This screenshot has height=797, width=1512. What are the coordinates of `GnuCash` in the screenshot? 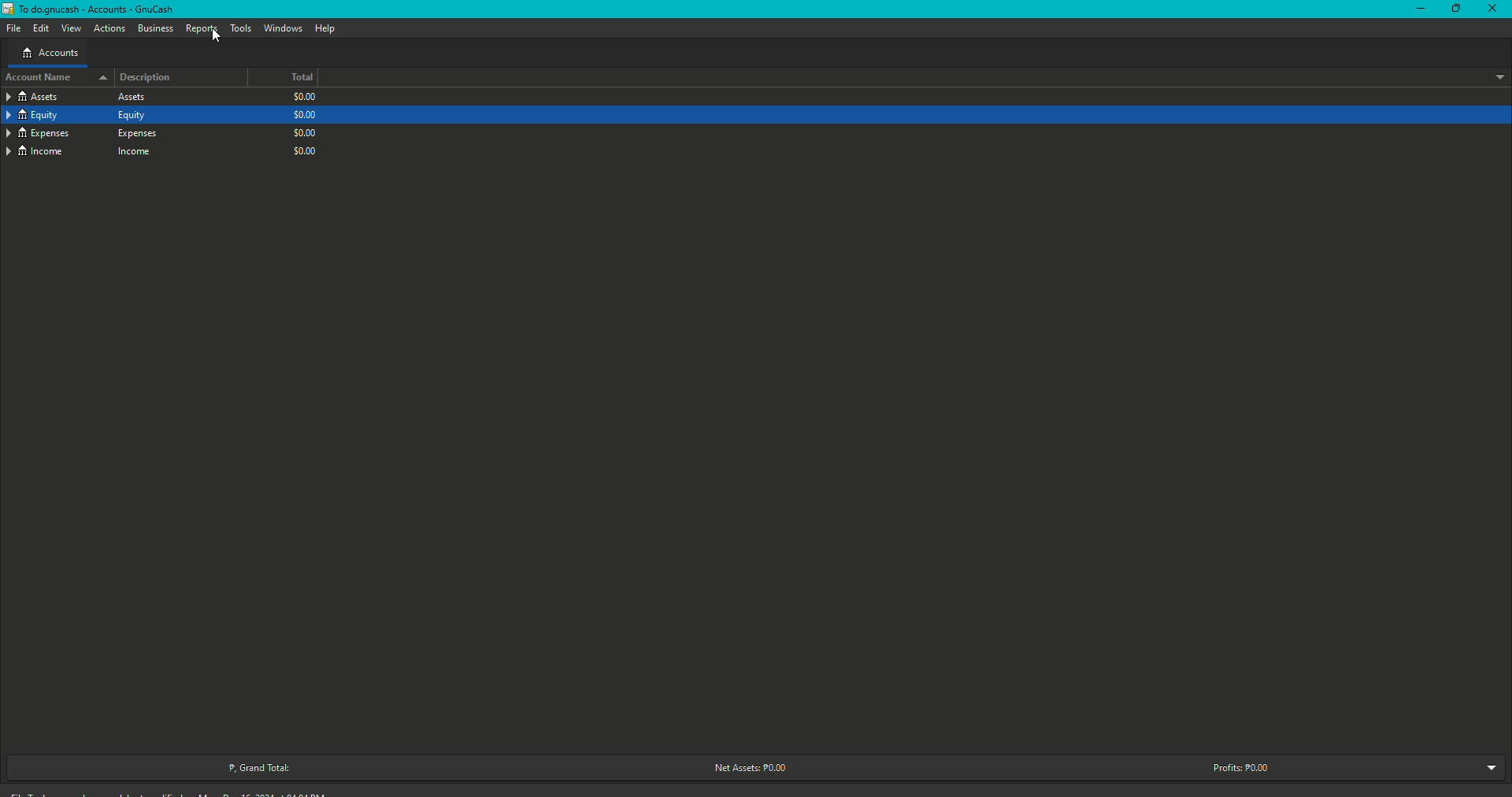 It's located at (91, 10).